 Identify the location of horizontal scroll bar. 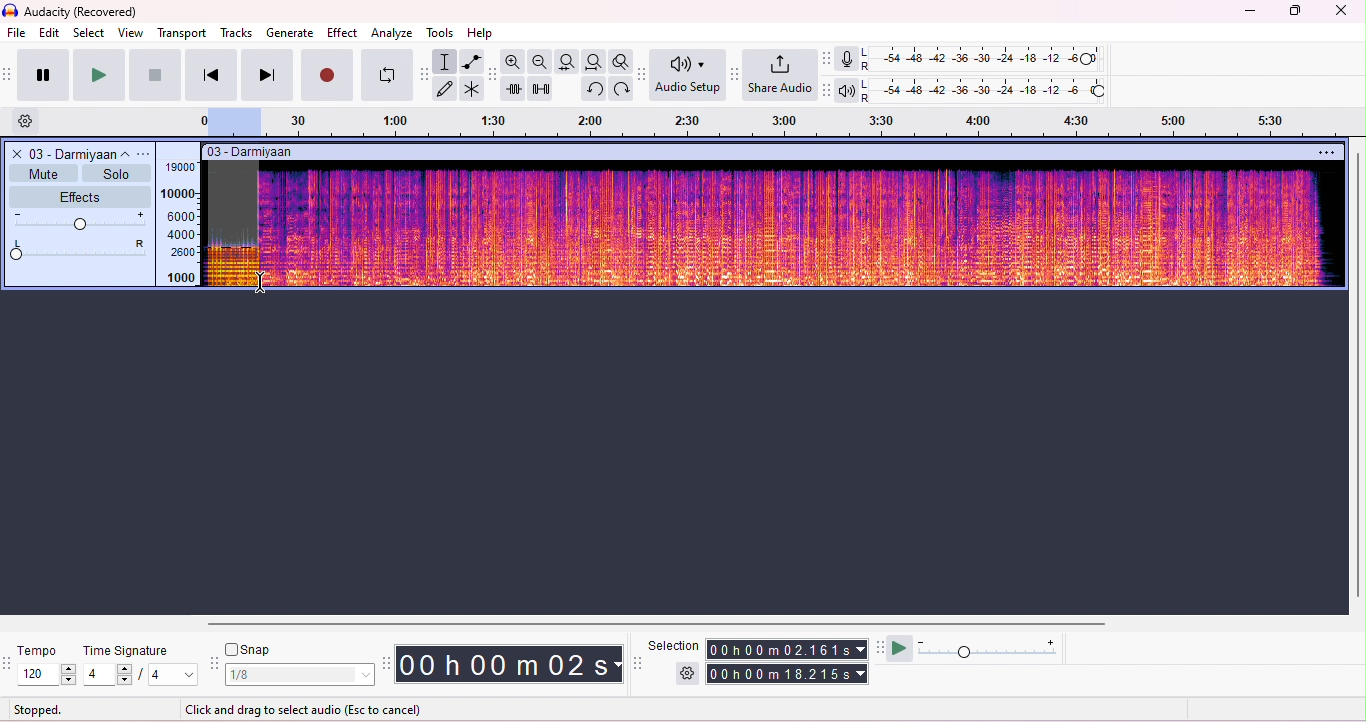
(664, 622).